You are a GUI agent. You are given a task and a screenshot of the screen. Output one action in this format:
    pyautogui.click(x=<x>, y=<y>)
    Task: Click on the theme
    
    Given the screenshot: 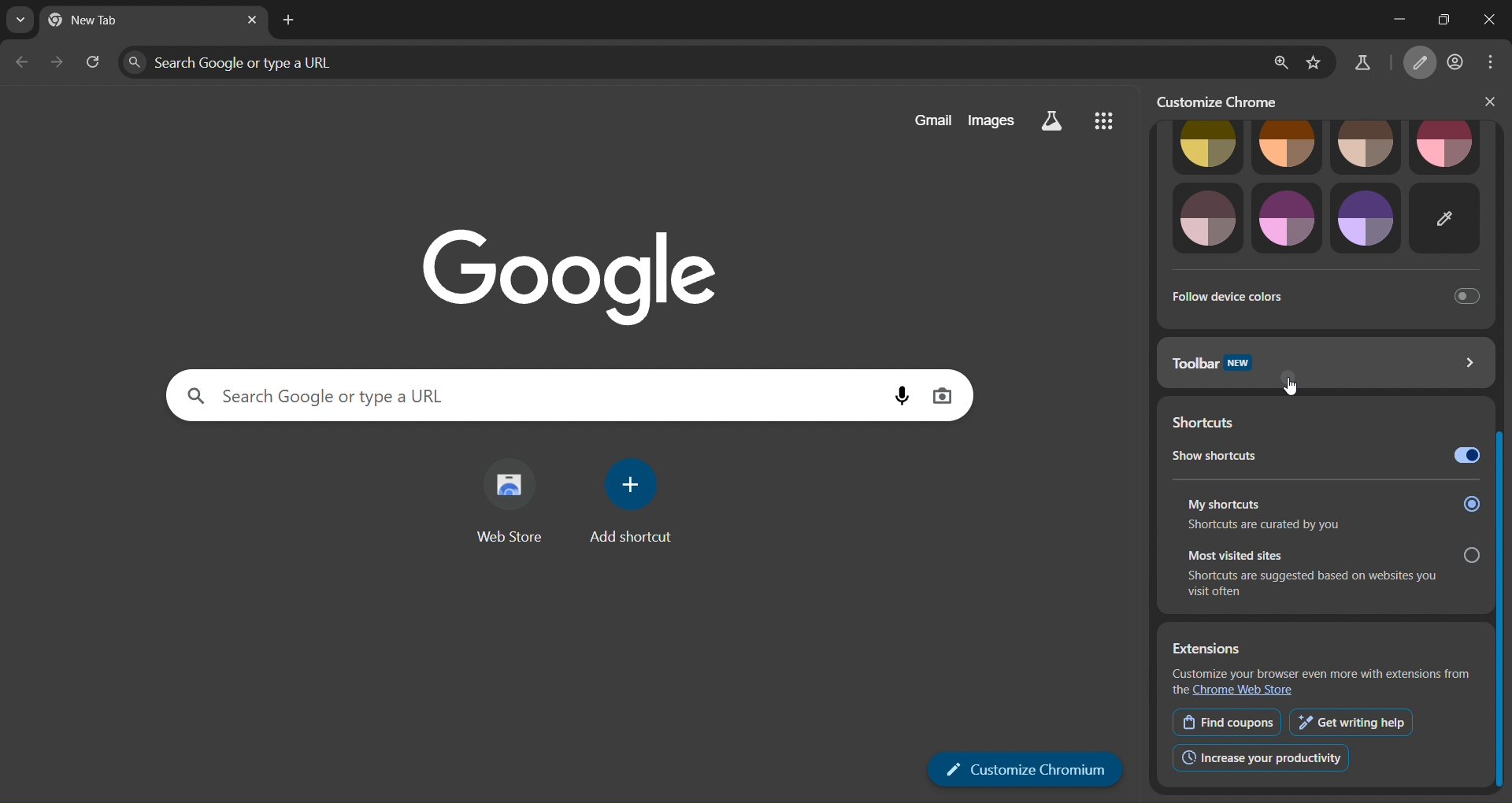 What is the action you would take?
    pyautogui.click(x=1365, y=218)
    